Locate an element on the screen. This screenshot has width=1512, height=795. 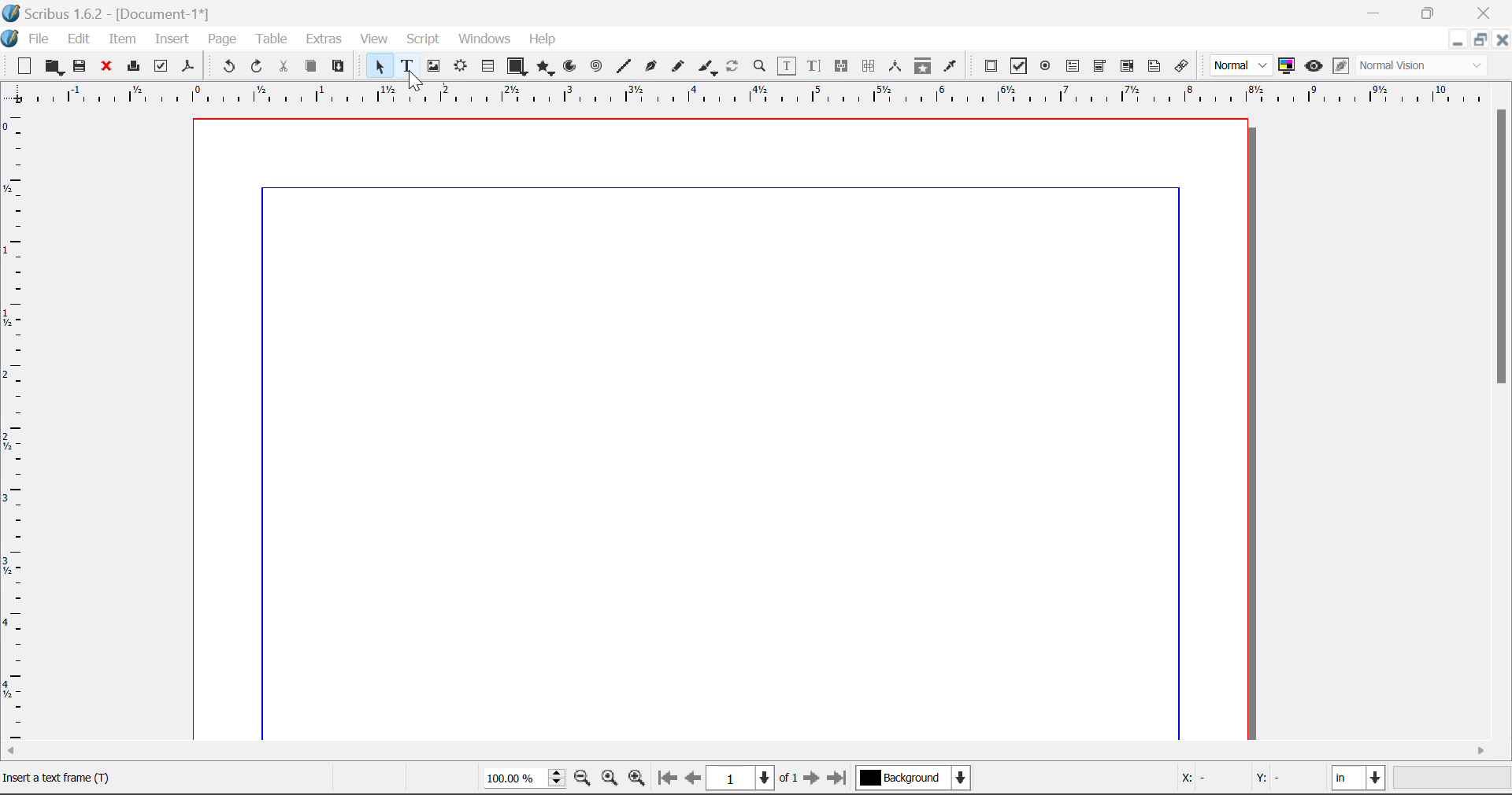
Background is located at coordinates (913, 779).